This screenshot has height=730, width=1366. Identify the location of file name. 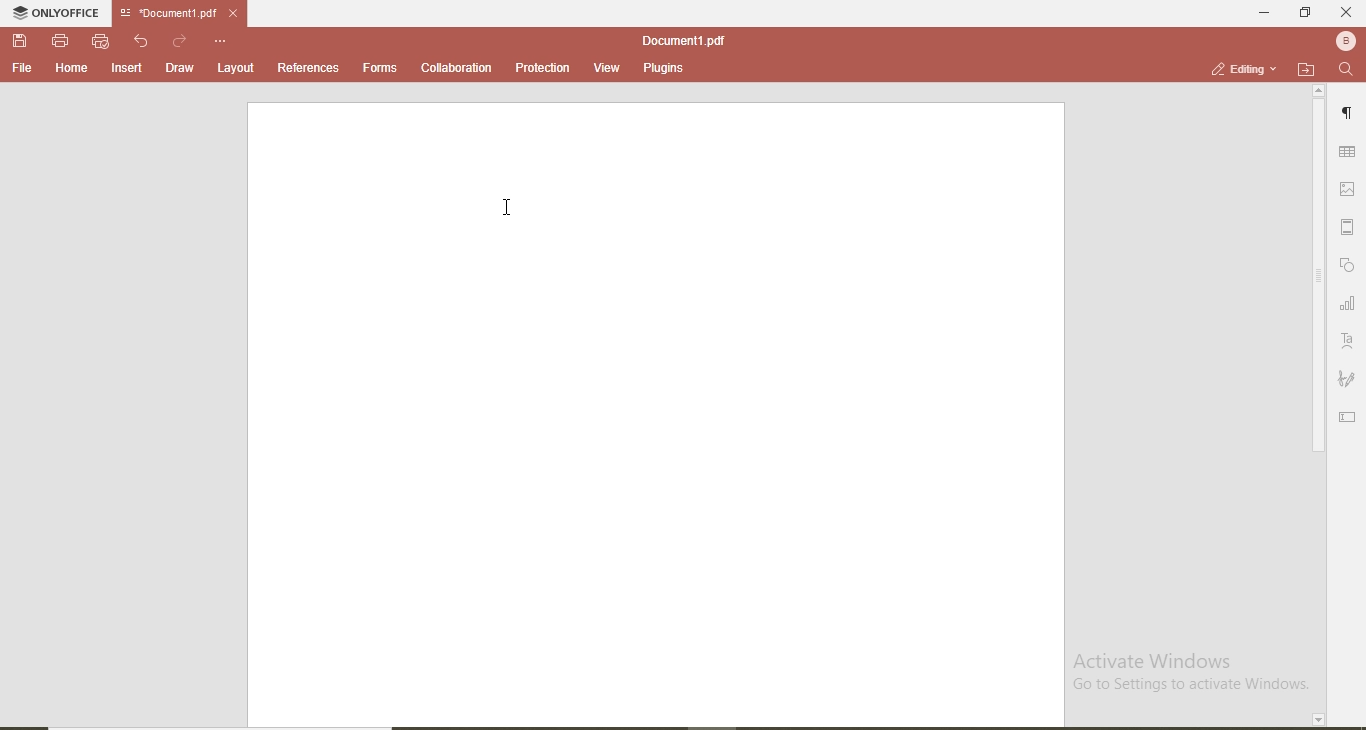
(682, 37).